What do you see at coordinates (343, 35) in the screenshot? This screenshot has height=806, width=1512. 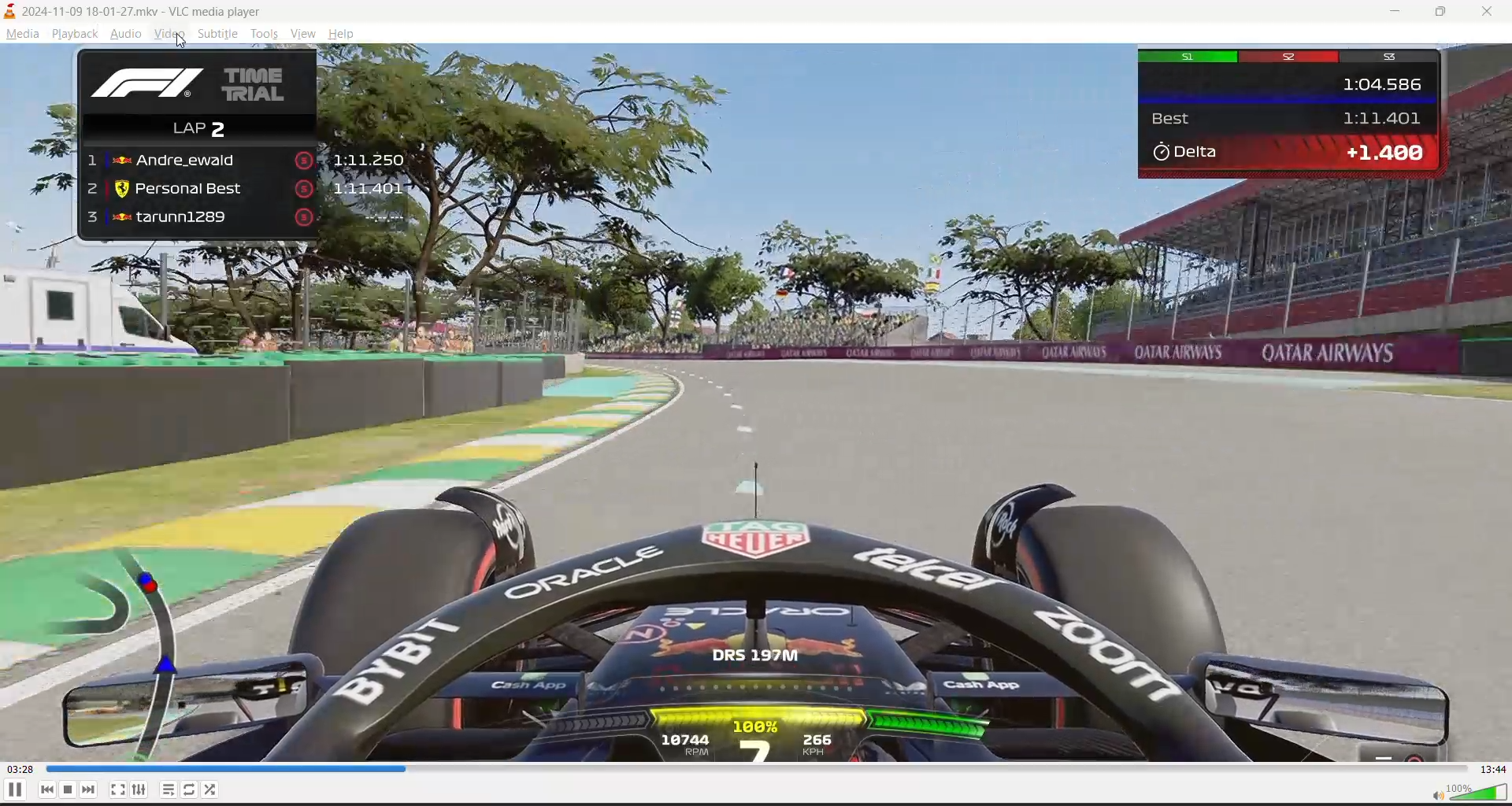 I see `help` at bounding box center [343, 35].